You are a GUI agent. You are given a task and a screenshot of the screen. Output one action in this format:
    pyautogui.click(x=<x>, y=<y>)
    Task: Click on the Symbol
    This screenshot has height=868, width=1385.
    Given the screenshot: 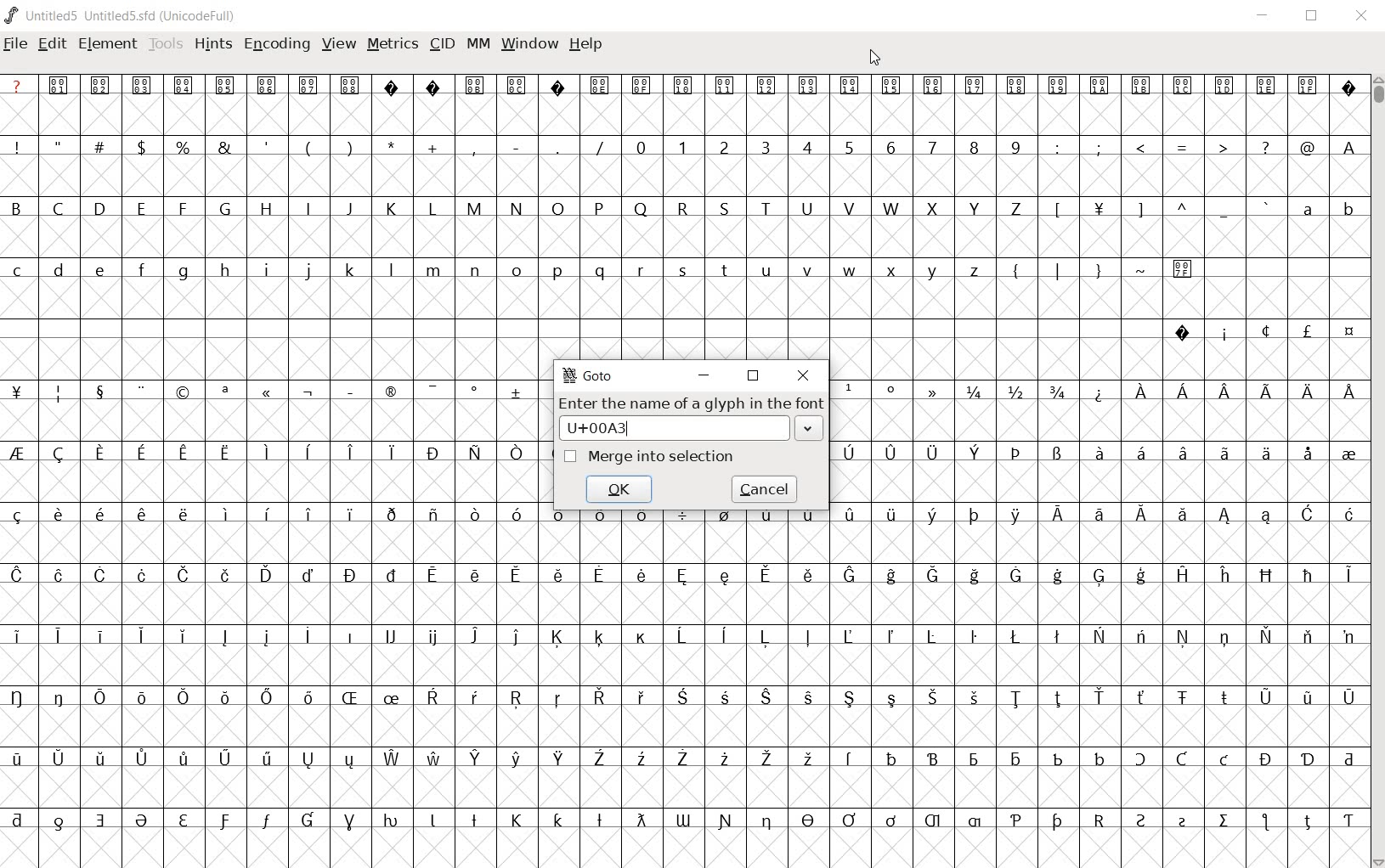 What is the action you would take?
    pyautogui.click(x=851, y=759)
    